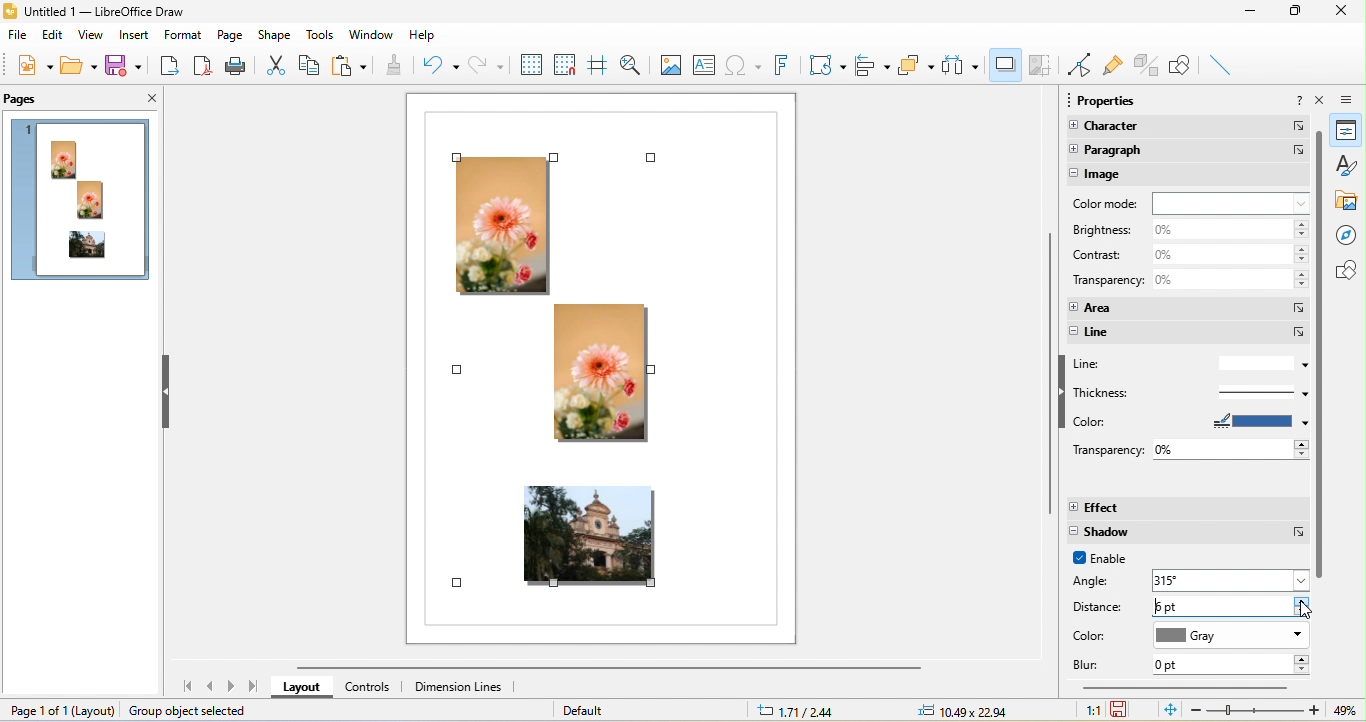 The image size is (1366, 722). What do you see at coordinates (1185, 690) in the screenshot?
I see `horizontal scroll bar` at bounding box center [1185, 690].